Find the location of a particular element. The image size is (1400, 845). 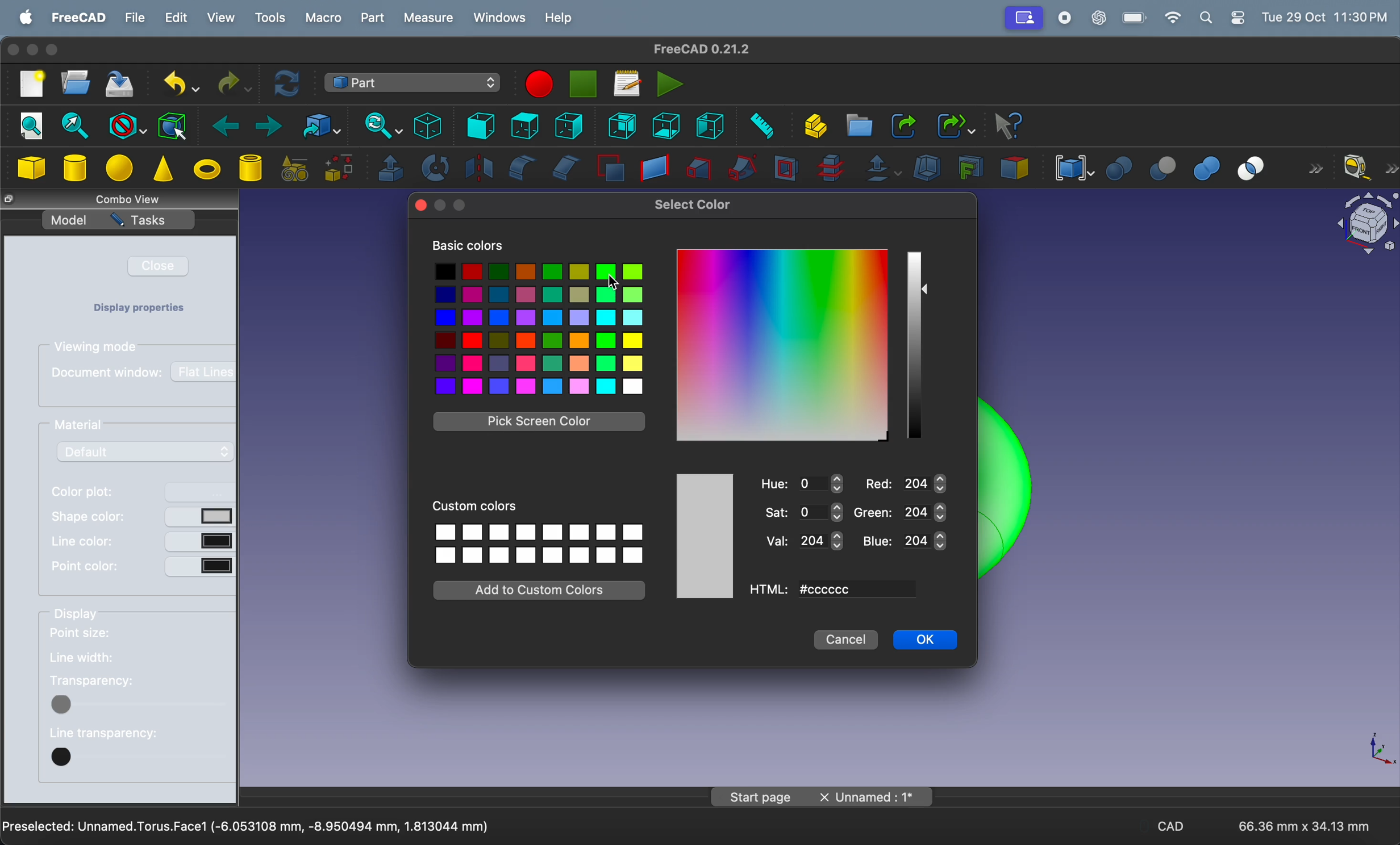

Custom colors is located at coordinates (474, 503).